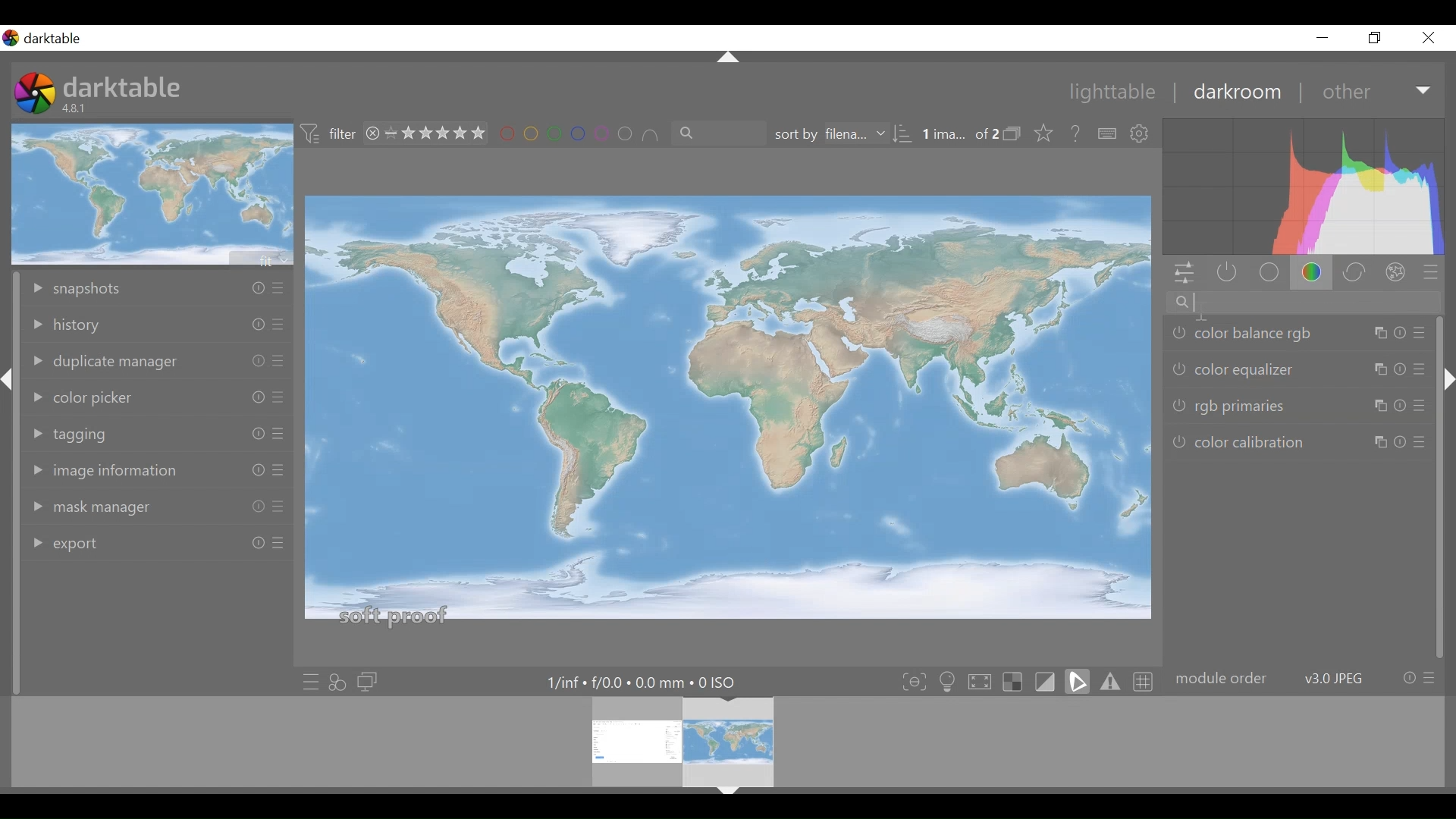 The height and width of the screenshot is (819, 1456). Describe the element at coordinates (916, 681) in the screenshot. I see `toggle focus peaking mode` at that location.